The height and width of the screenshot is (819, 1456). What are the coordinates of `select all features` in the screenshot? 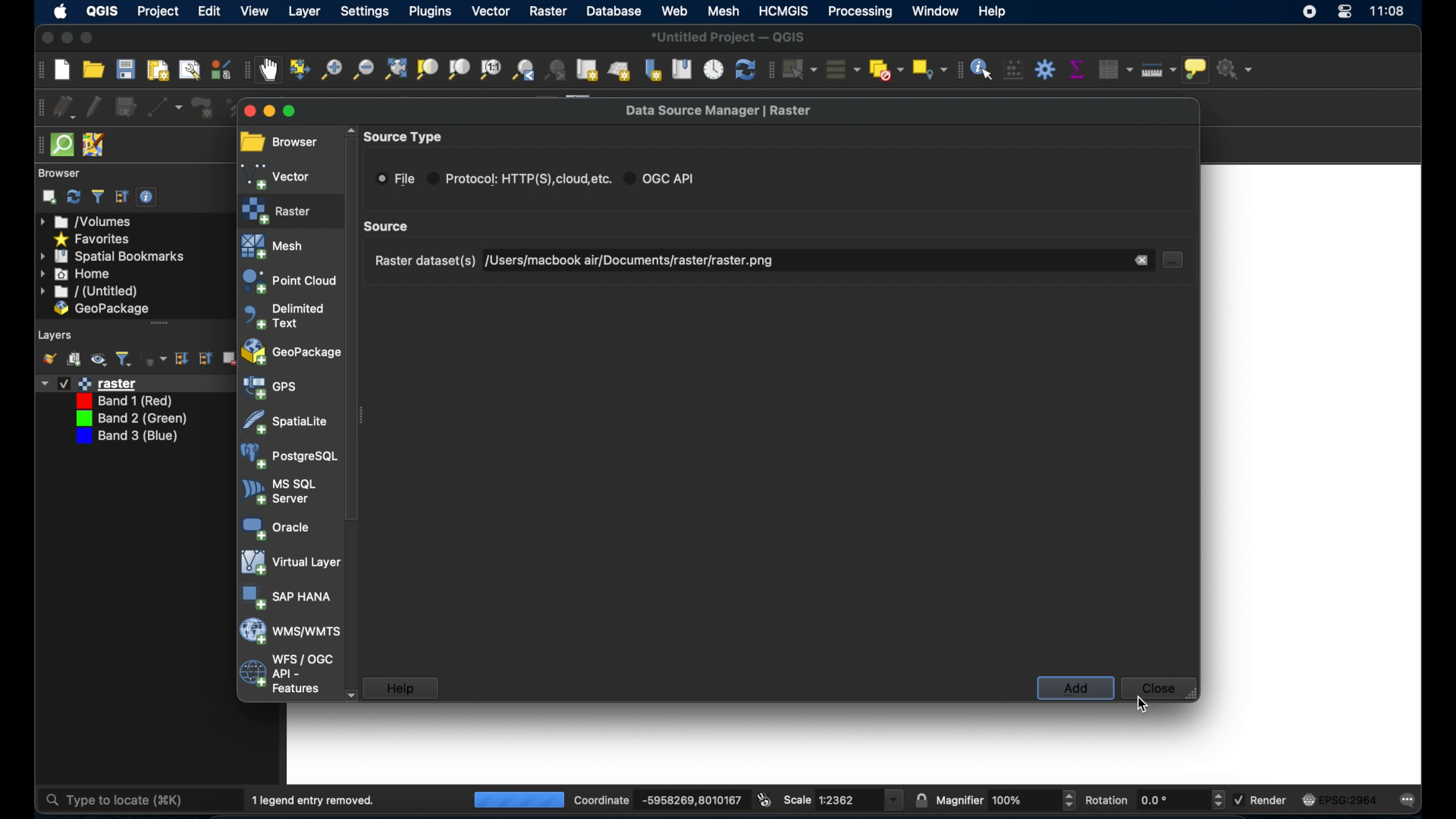 It's located at (840, 69).